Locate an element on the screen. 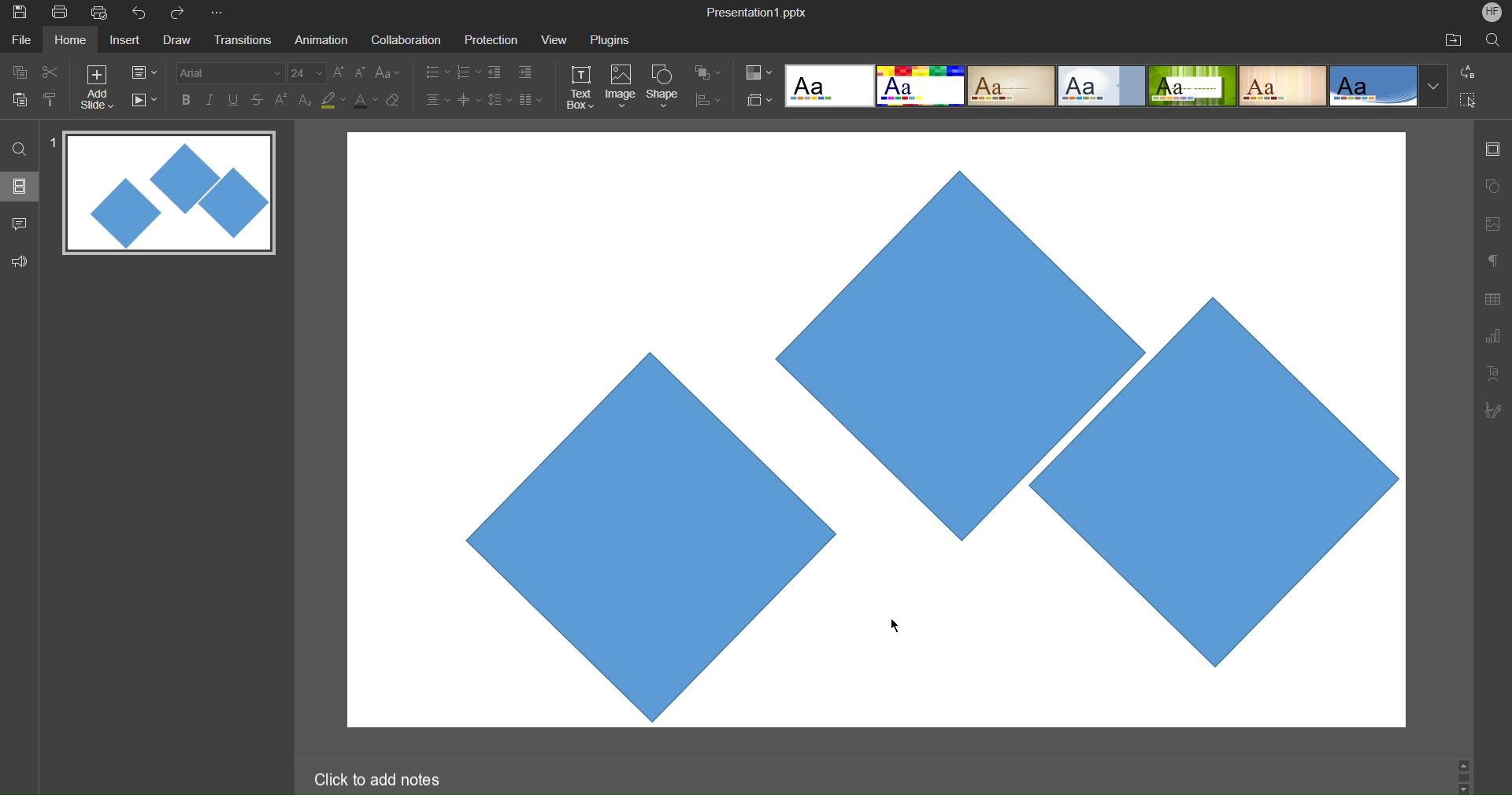 The height and width of the screenshot is (795, 1512). Paragraph Settings is located at coordinates (1493, 260).